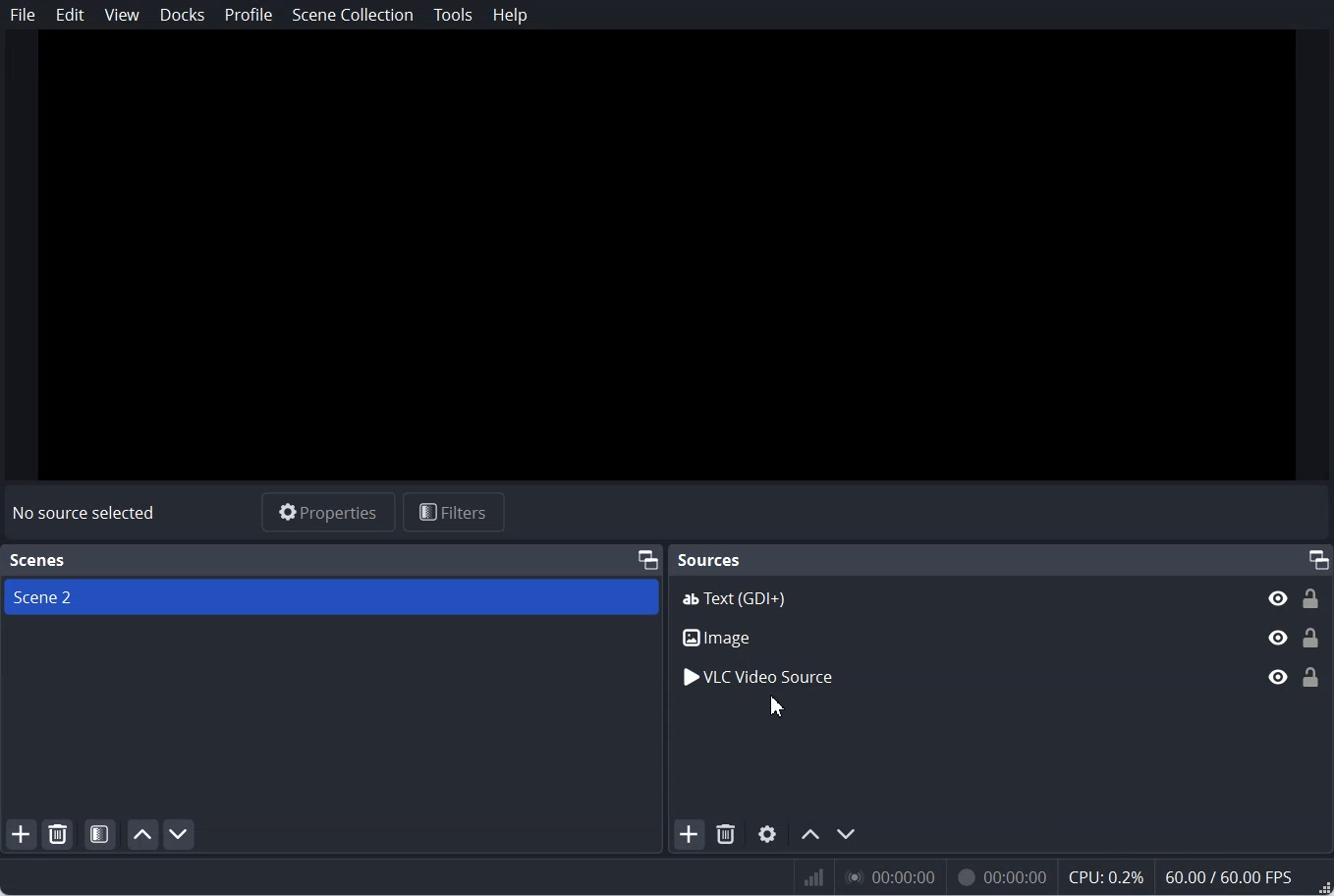 The width and height of the screenshot is (1334, 896). Describe the element at coordinates (35, 561) in the screenshot. I see `Text` at that location.